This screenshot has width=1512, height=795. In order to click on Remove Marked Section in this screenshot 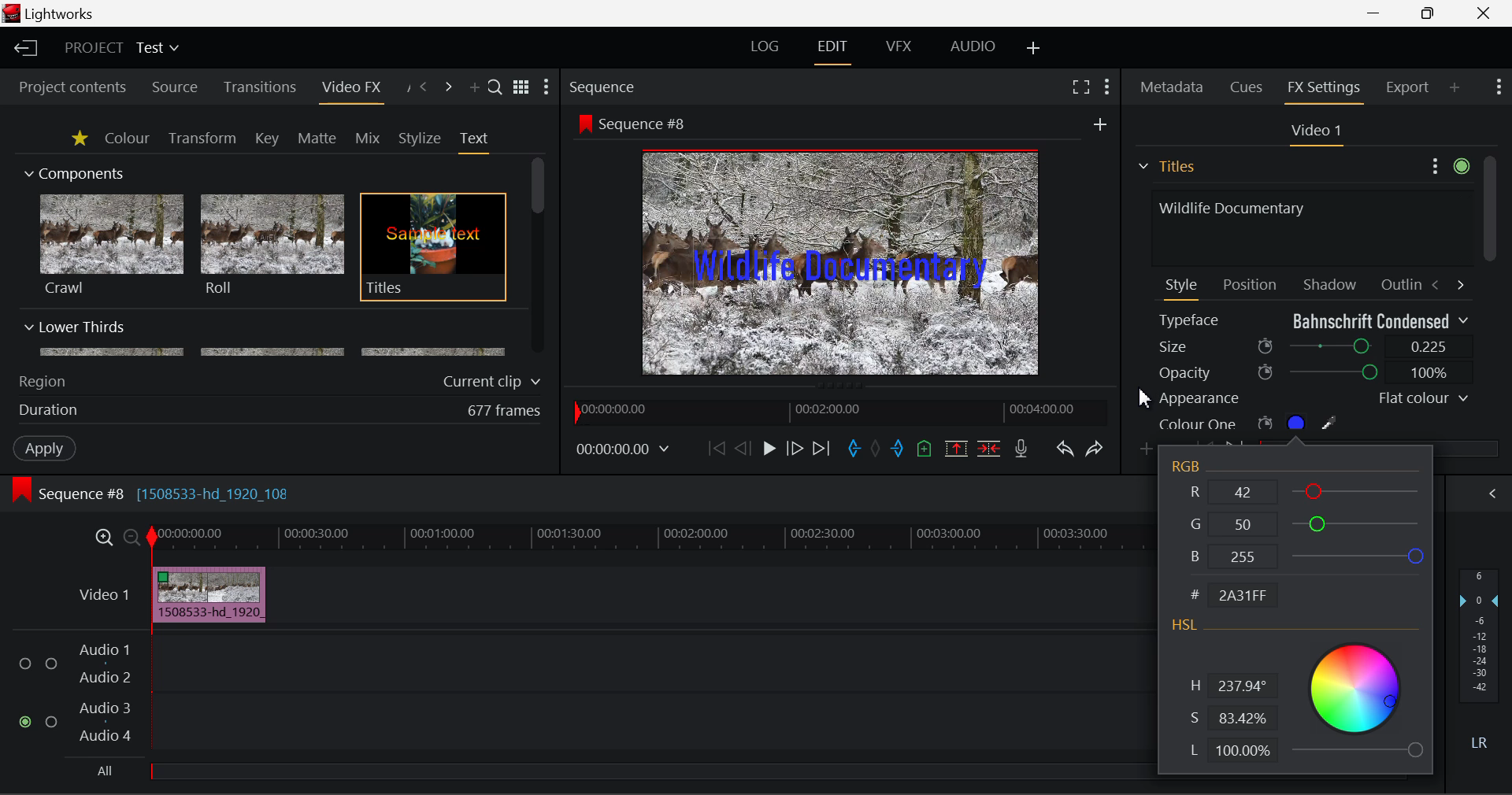, I will do `click(956, 449)`.